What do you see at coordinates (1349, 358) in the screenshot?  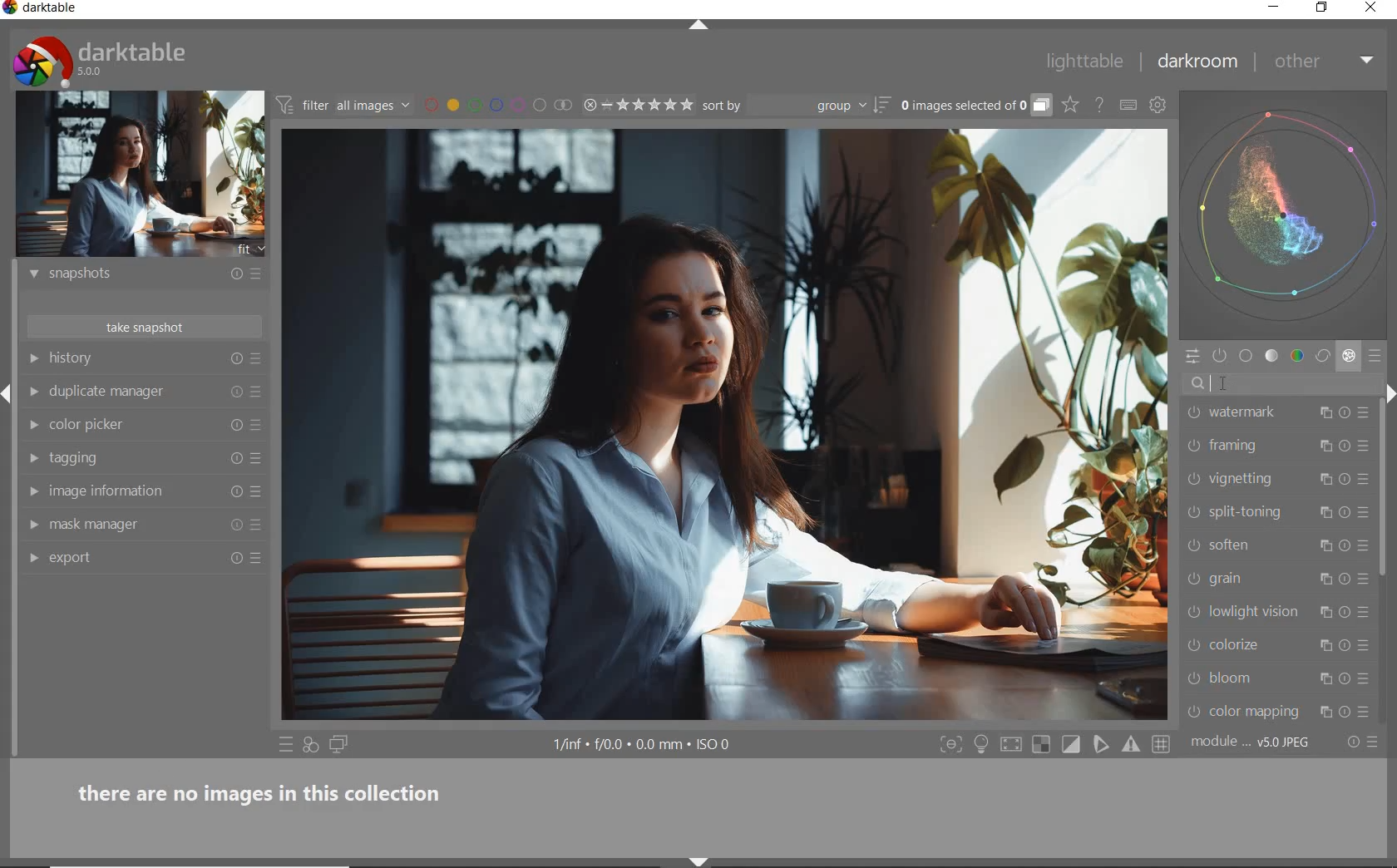 I see `effect` at bounding box center [1349, 358].